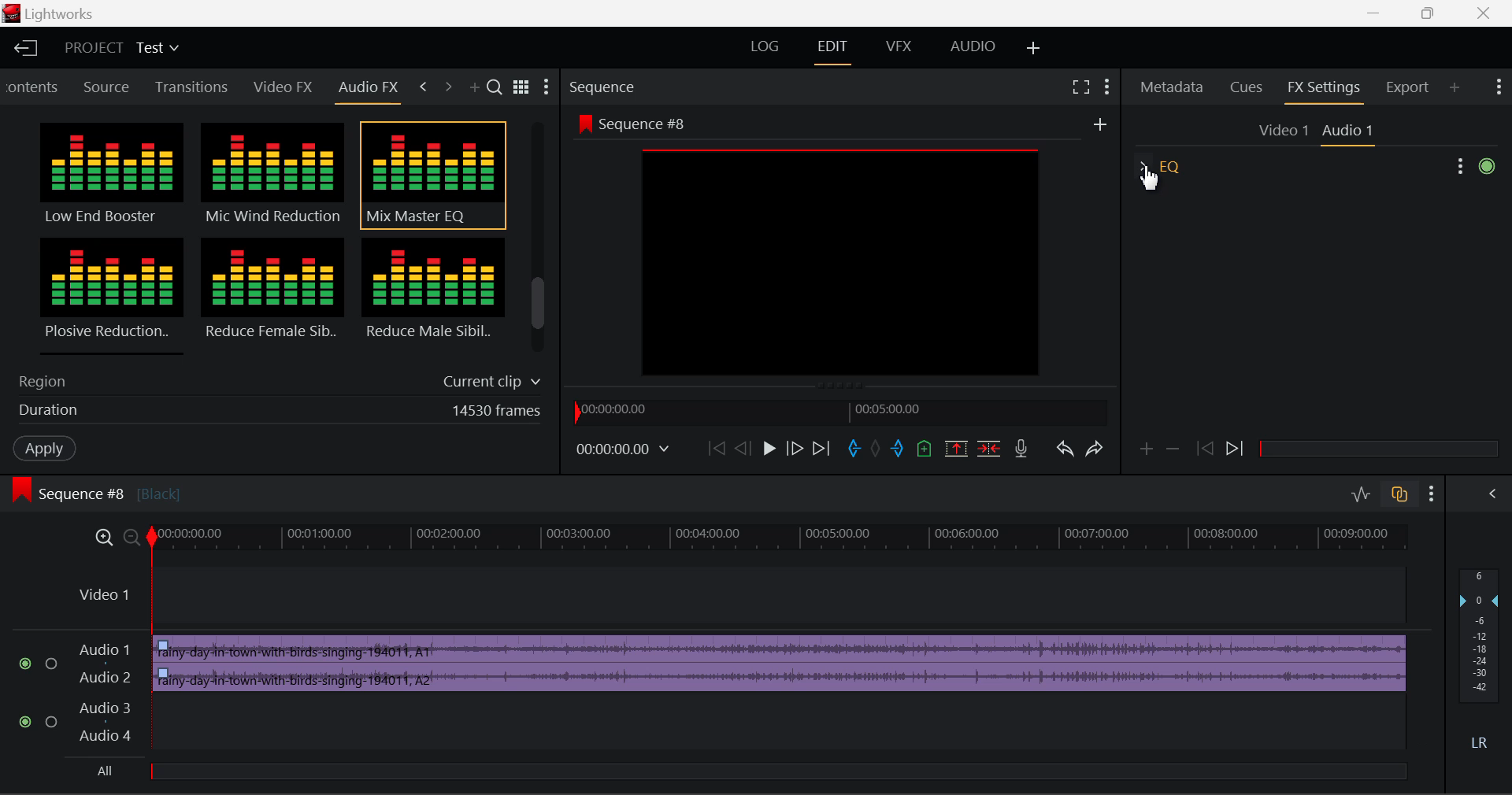 The width and height of the screenshot is (1512, 795). I want to click on Next keyframe, so click(1238, 449).